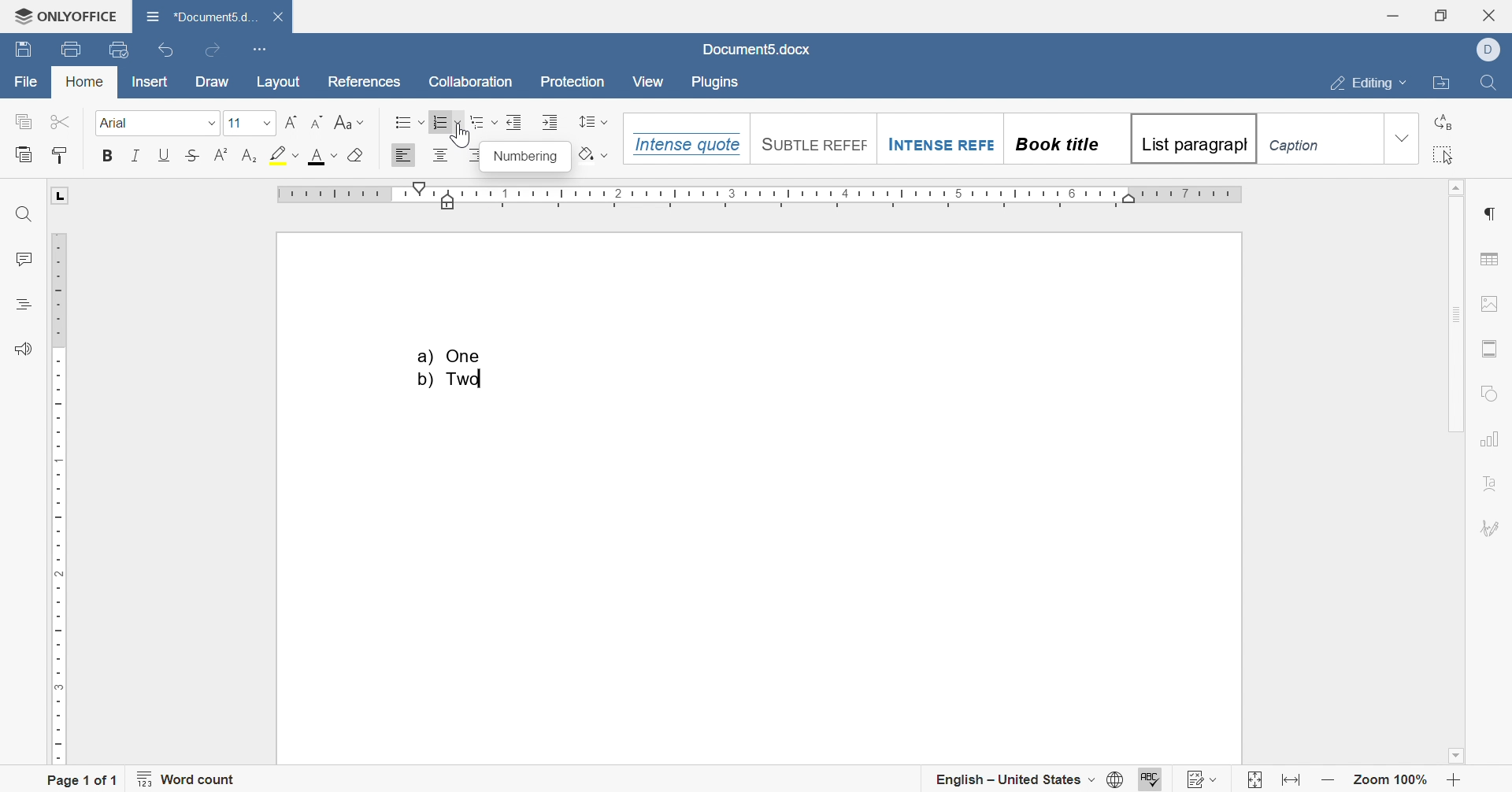 This screenshot has width=1512, height=792. I want to click on copy, so click(24, 121).